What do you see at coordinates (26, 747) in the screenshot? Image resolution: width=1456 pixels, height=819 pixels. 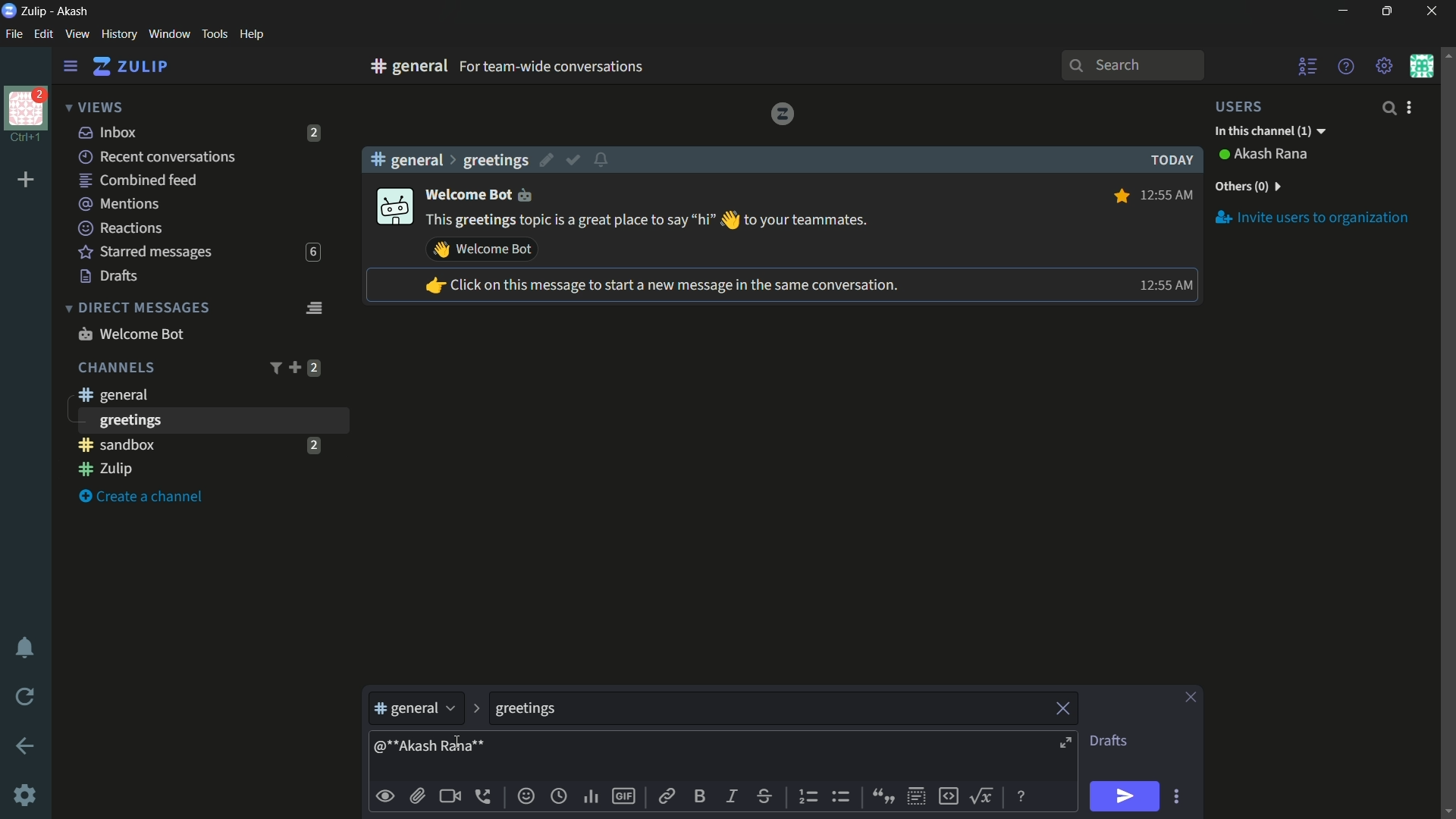 I see `go back` at bounding box center [26, 747].